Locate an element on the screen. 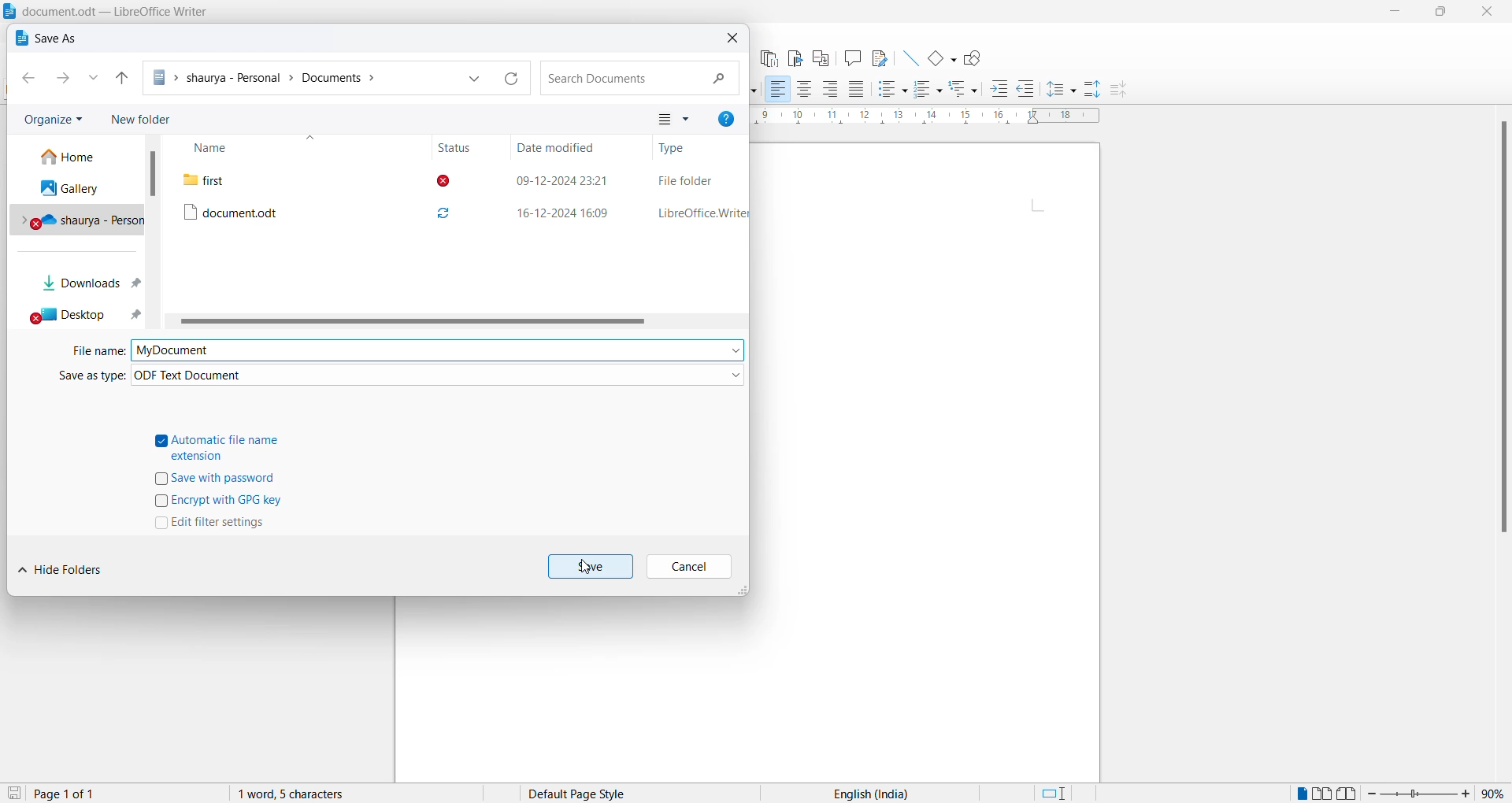 The image size is (1512, 803). hide folders button is located at coordinates (67, 575).